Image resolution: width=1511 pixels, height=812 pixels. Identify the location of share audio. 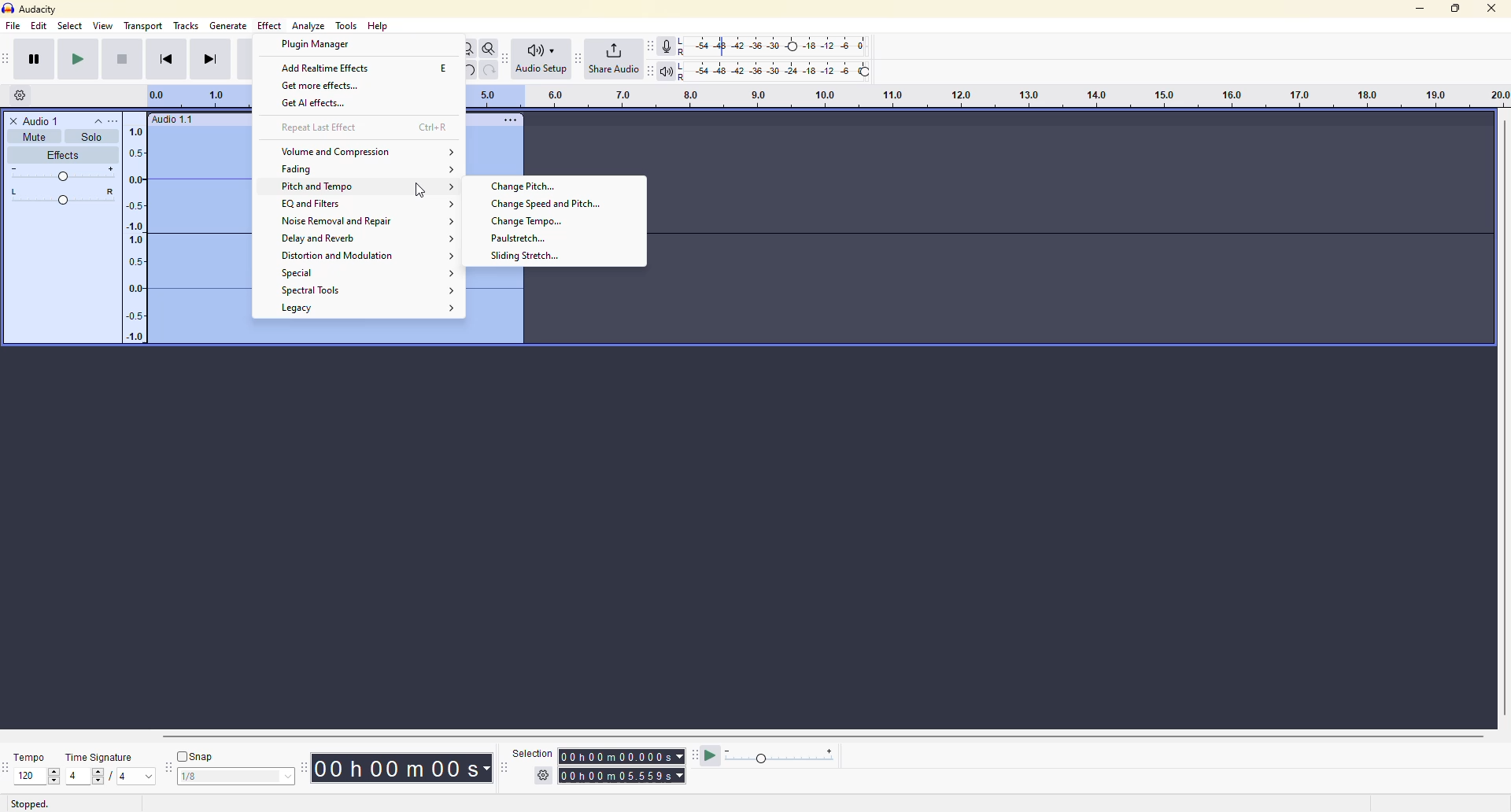
(614, 58).